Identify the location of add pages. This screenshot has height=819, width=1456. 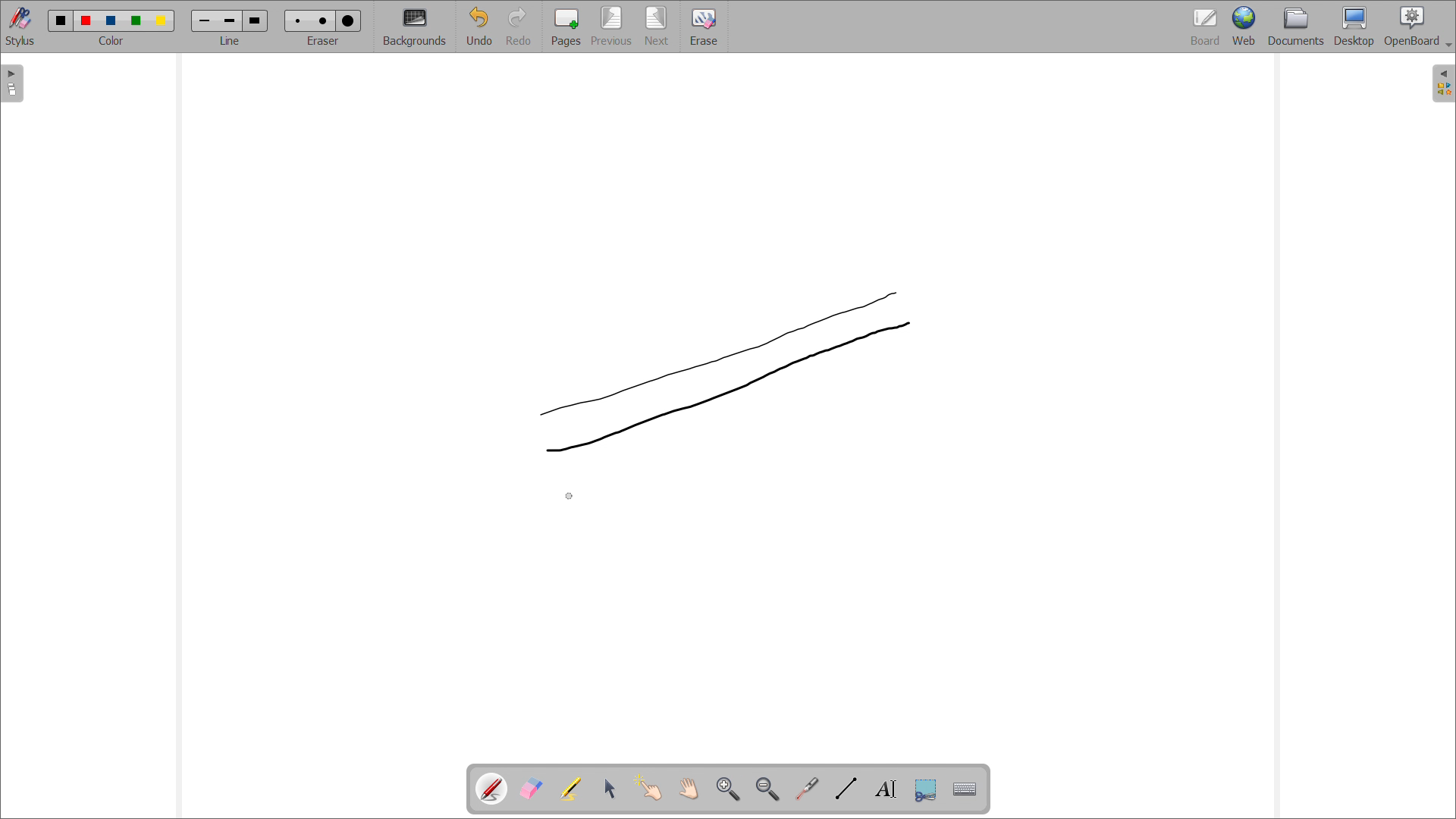
(566, 27).